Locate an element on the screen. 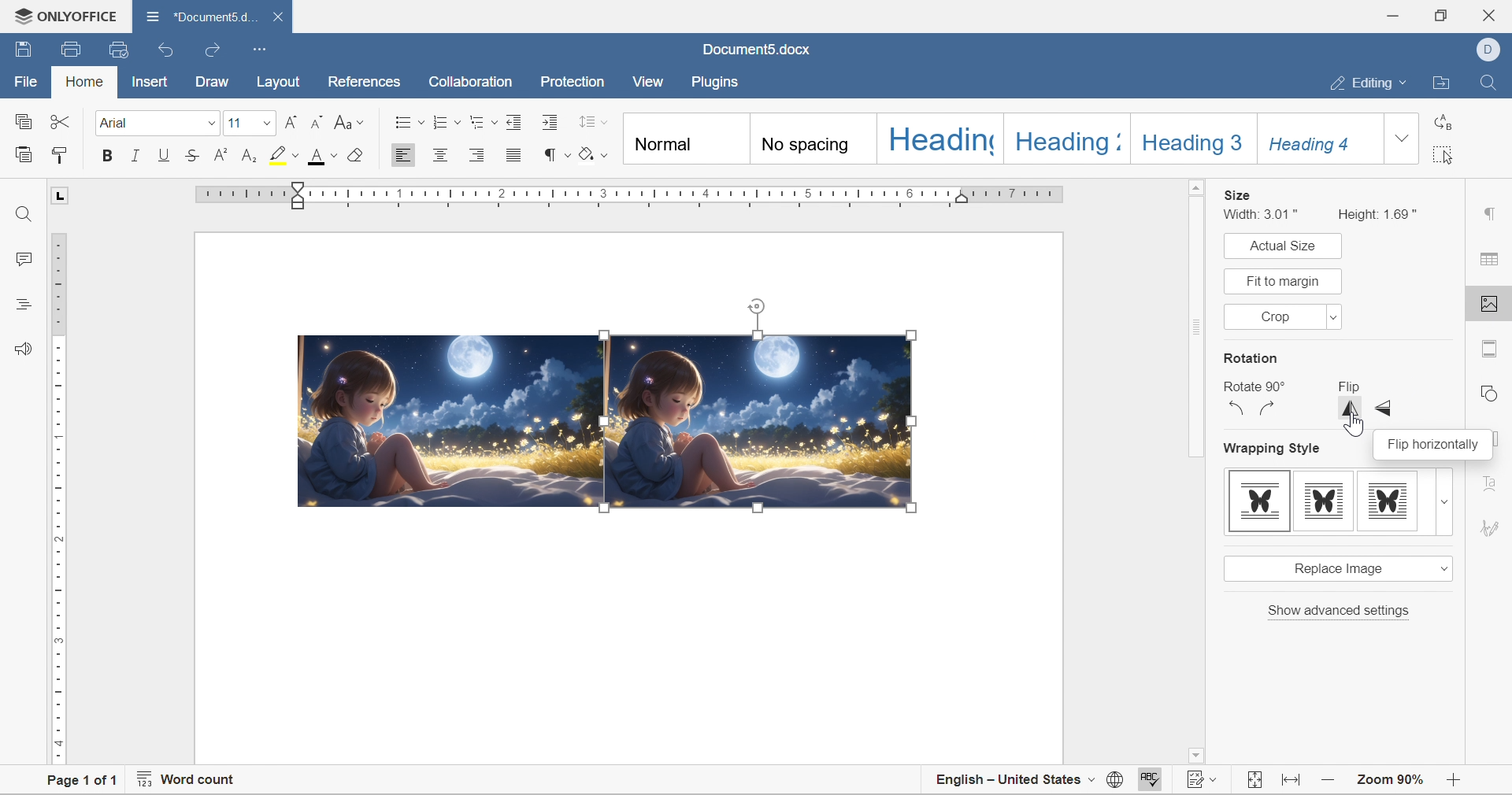 The image size is (1512, 795). feedback and support is located at coordinates (26, 349).